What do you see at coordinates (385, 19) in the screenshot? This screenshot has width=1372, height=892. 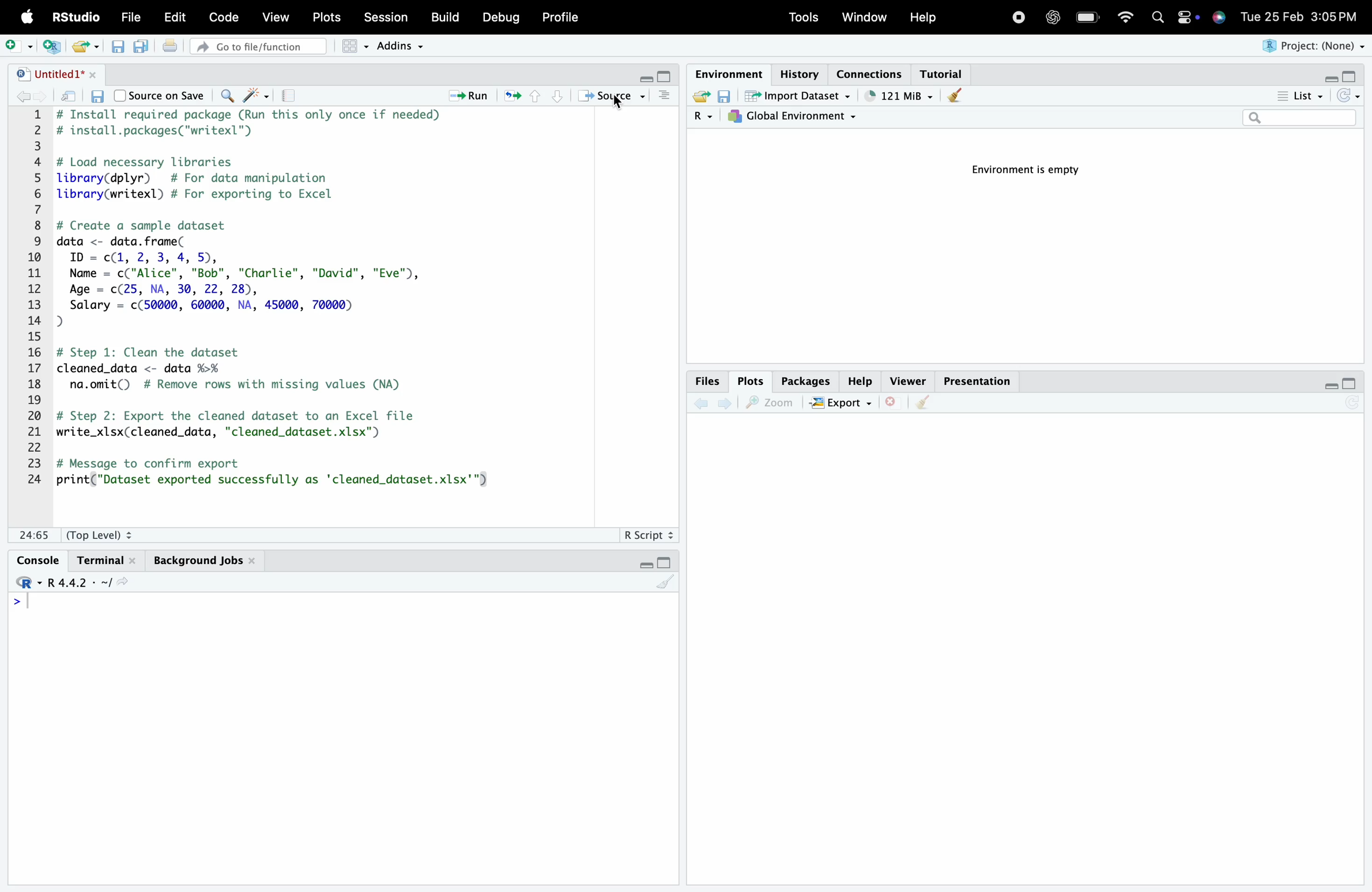 I see `Session` at bounding box center [385, 19].